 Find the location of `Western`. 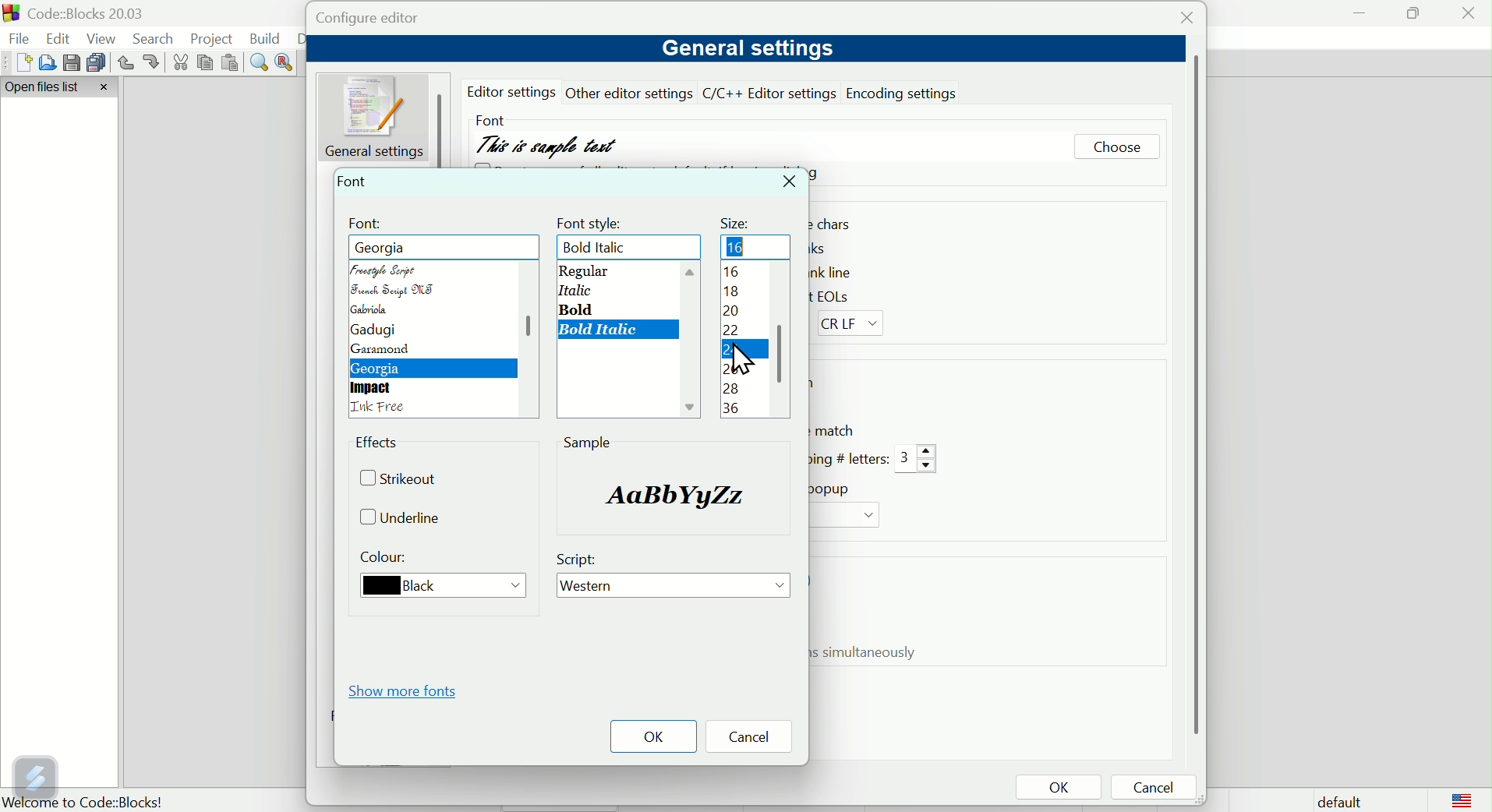

Western is located at coordinates (675, 588).